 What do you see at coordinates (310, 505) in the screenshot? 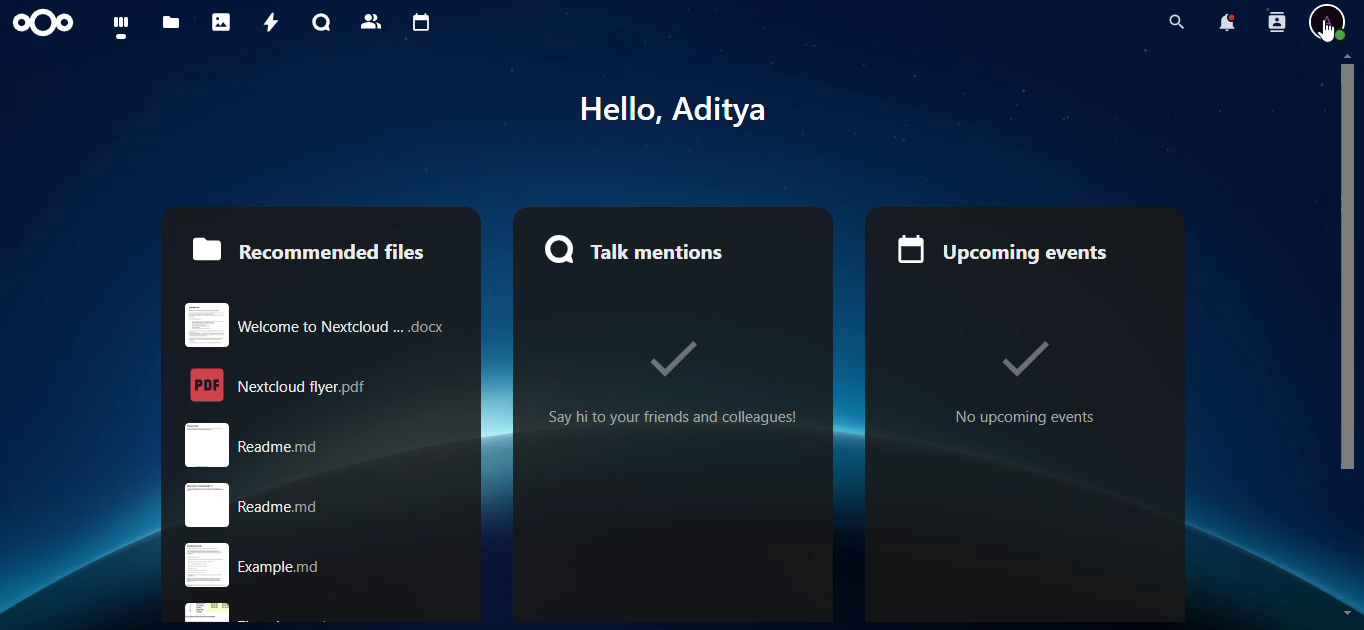
I see `readme rnd` at bounding box center [310, 505].